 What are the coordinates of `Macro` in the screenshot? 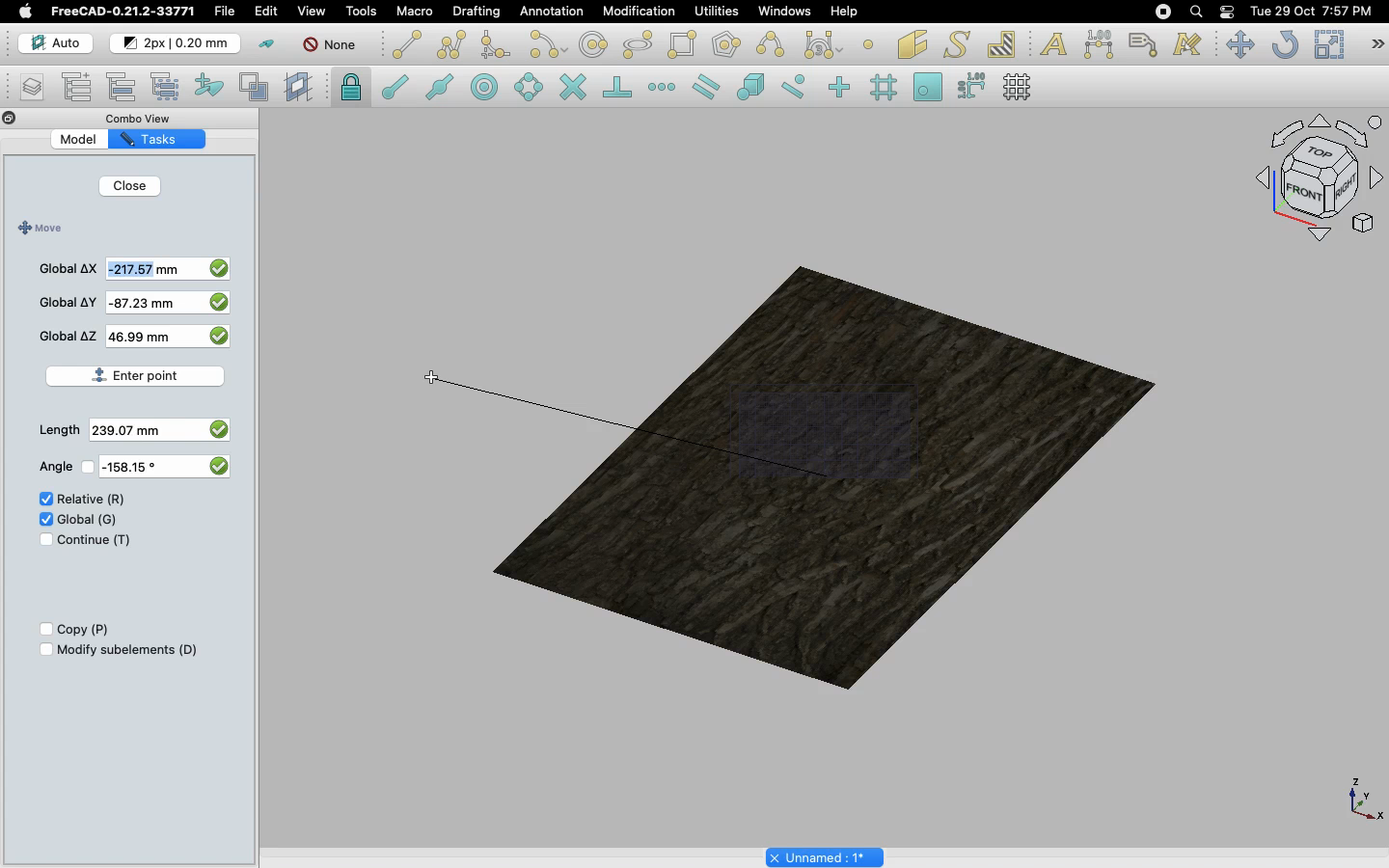 It's located at (416, 12).